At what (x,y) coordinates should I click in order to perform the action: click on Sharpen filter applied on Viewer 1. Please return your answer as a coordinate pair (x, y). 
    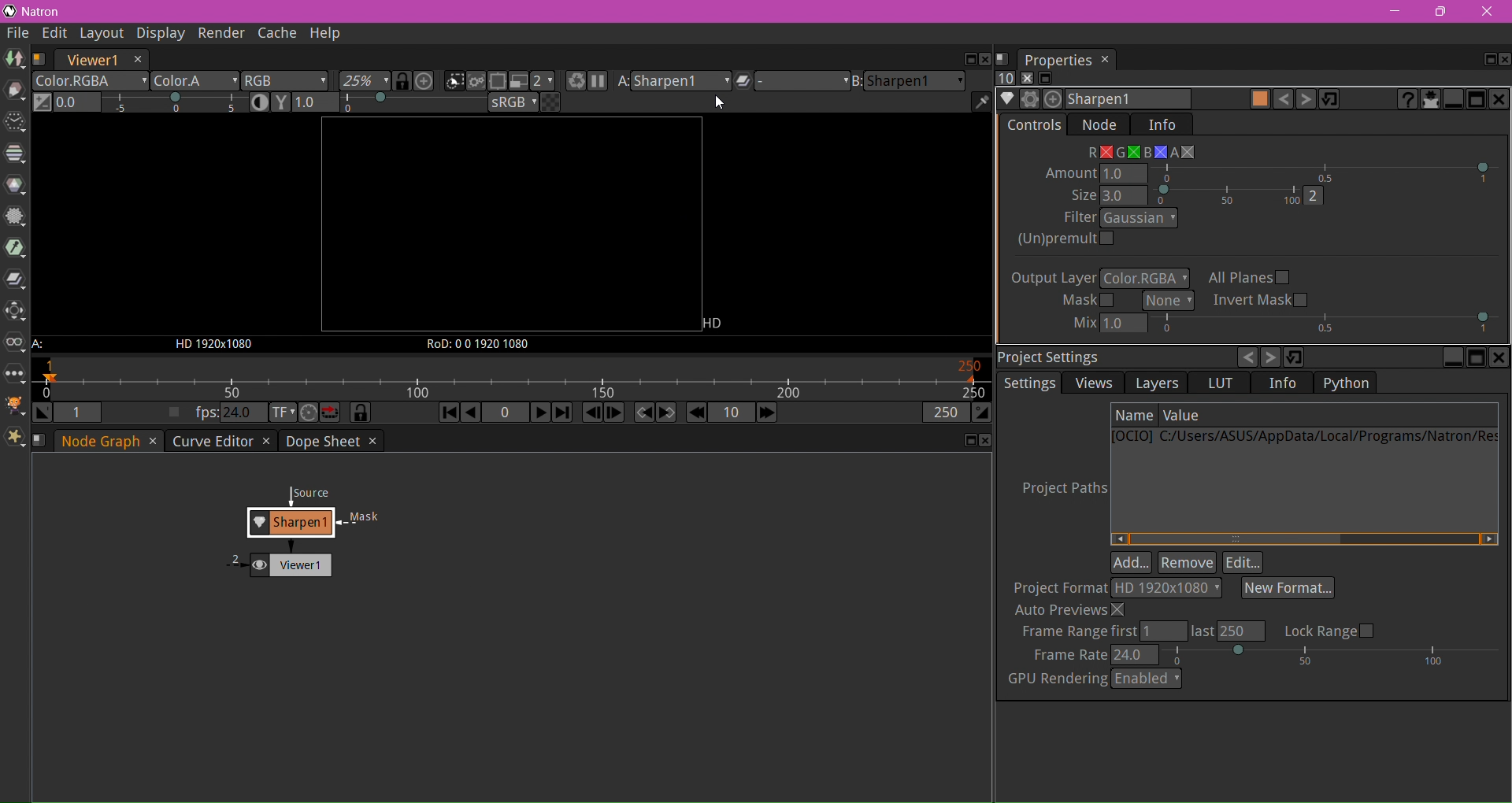
    Looking at the image, I should click on (309, 509).